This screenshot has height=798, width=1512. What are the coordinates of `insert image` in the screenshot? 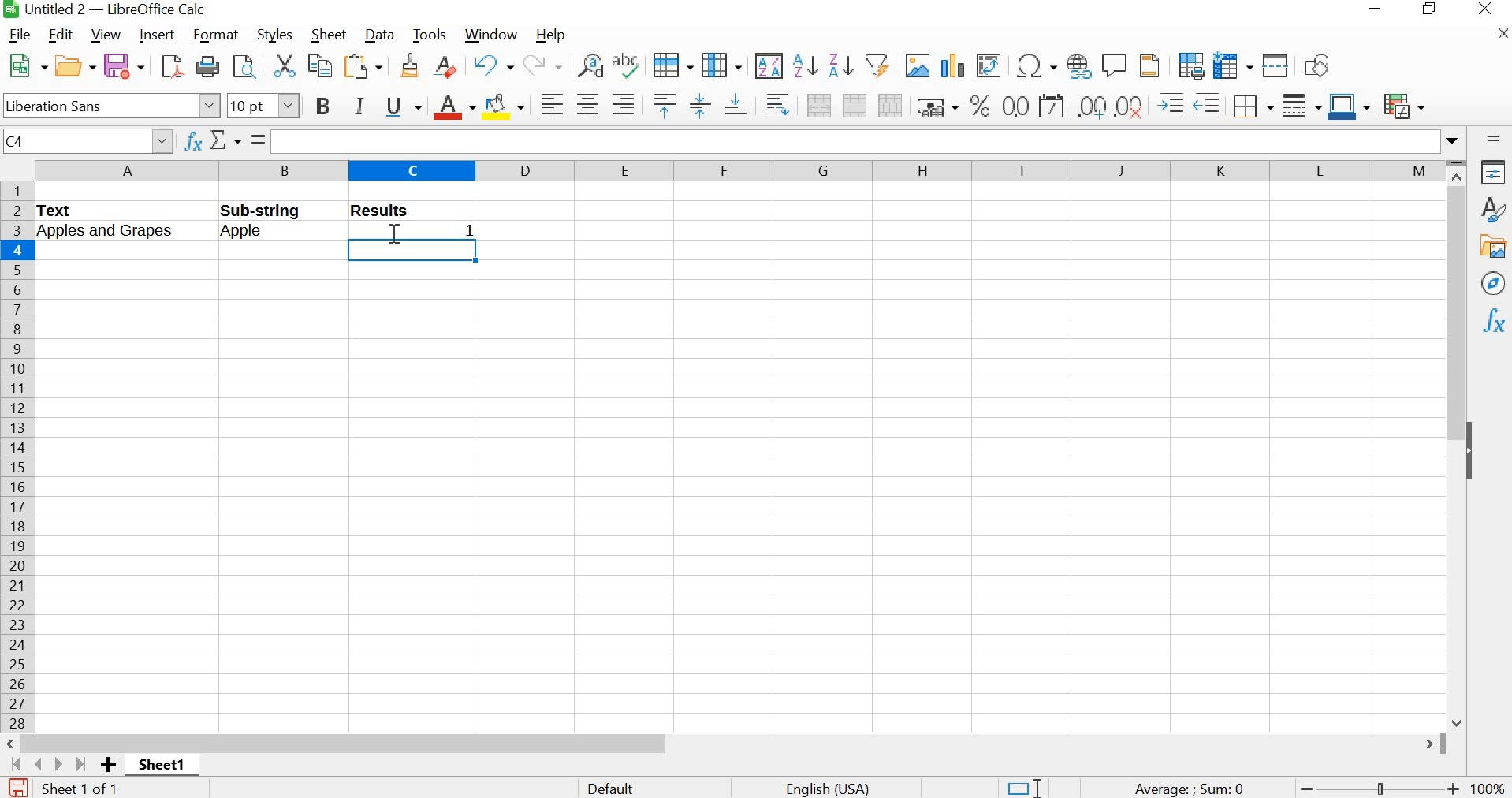 It's located at (917, 65).